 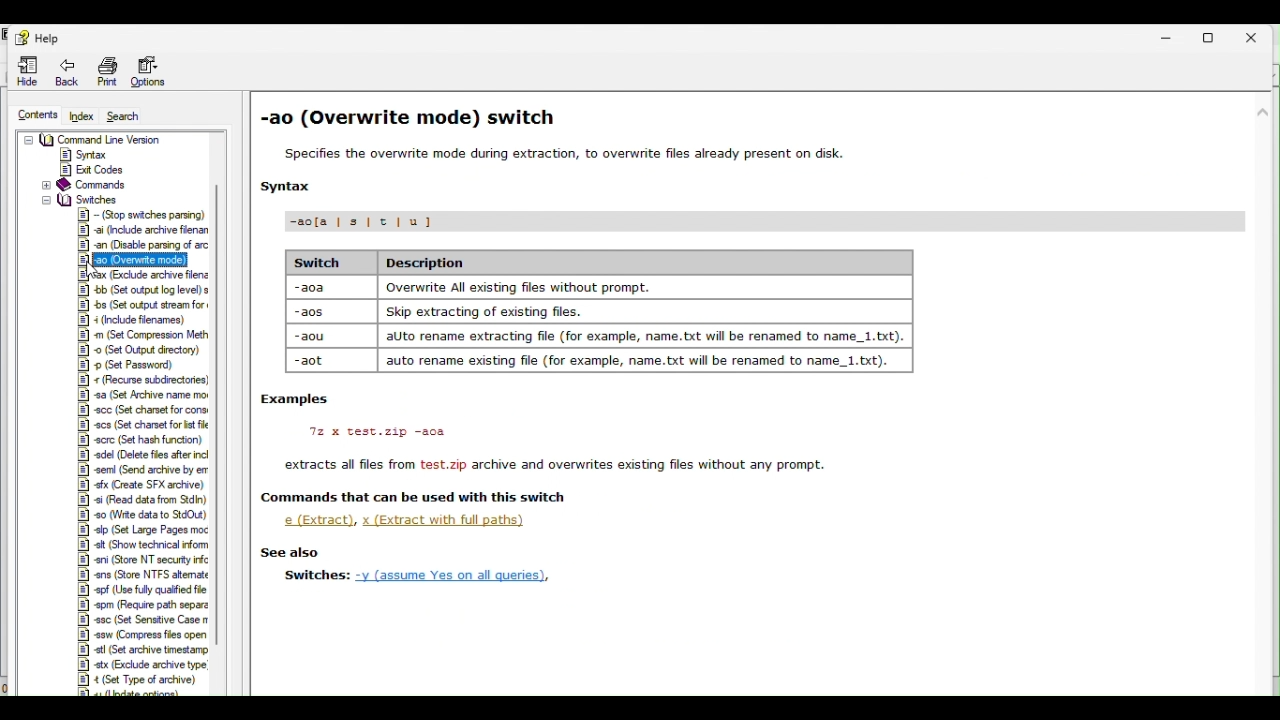 What do you see at coordinates (98, 169) in the screenshot?
I see `Exit Codes` at bounding box center [98, 169].